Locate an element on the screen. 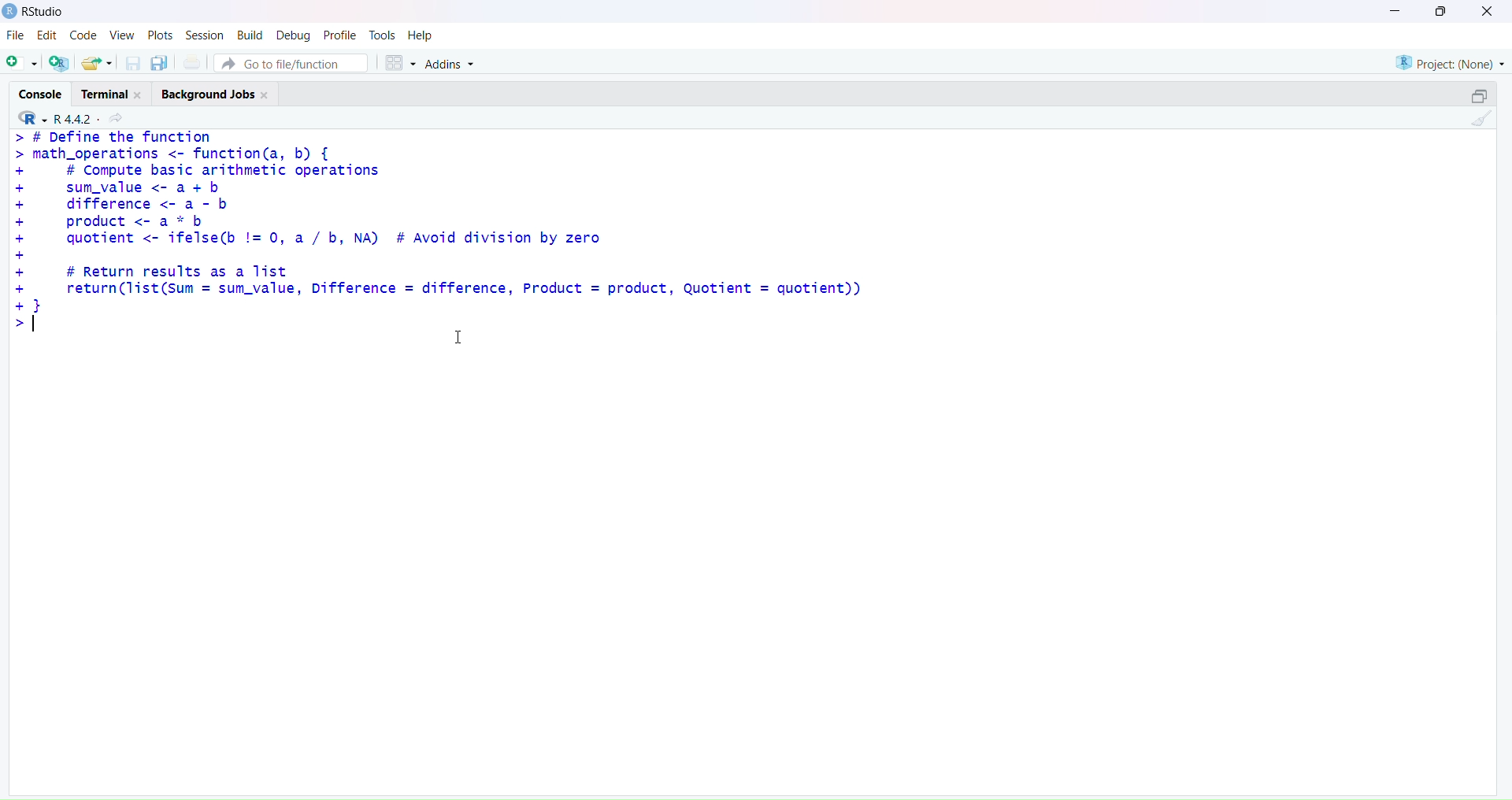 The height and width of the screenshot is (800, 1512). Plots is located at coordinates (158, 35).